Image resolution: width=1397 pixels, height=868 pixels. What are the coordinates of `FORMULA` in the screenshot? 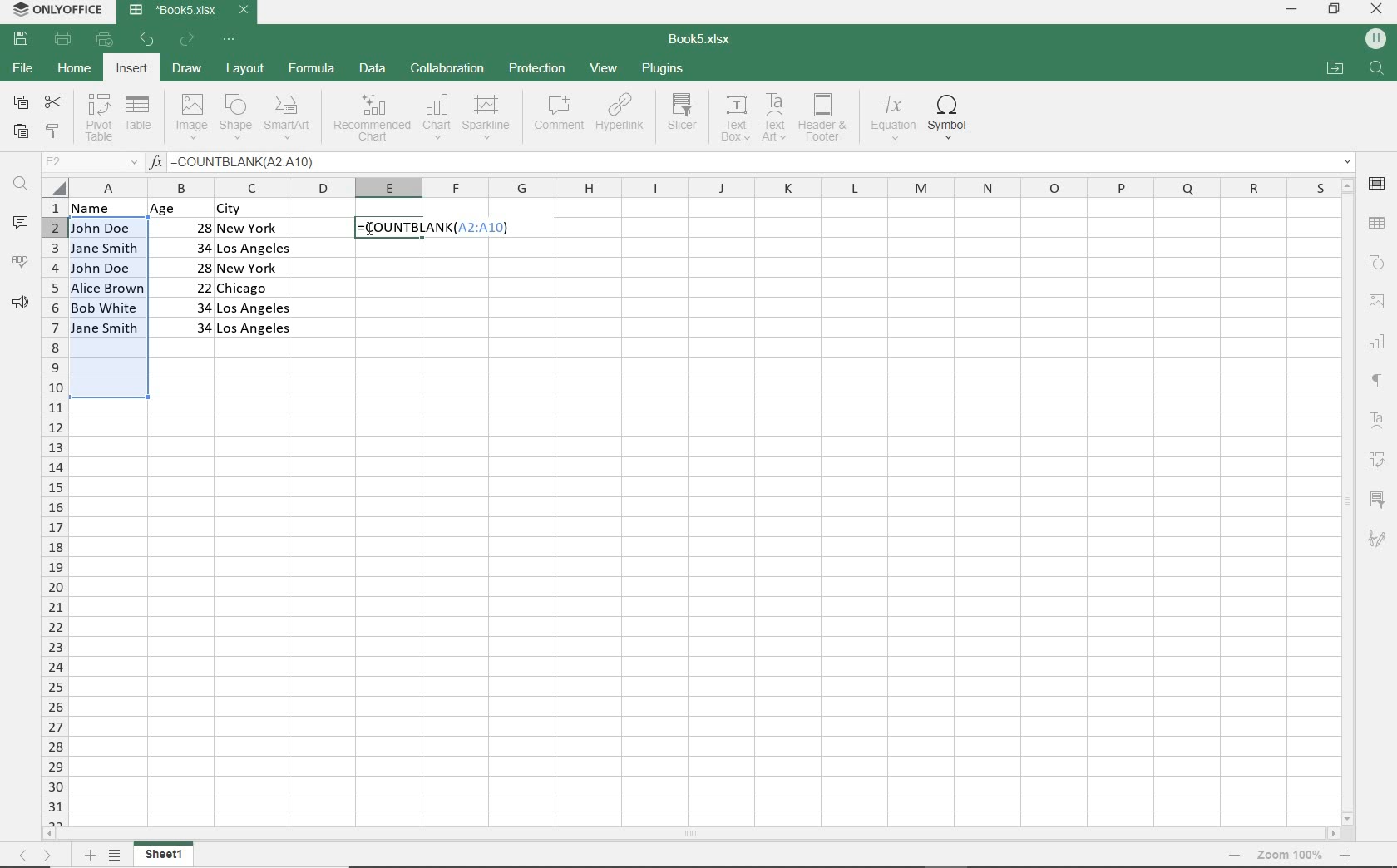 It's located at (310, 68).